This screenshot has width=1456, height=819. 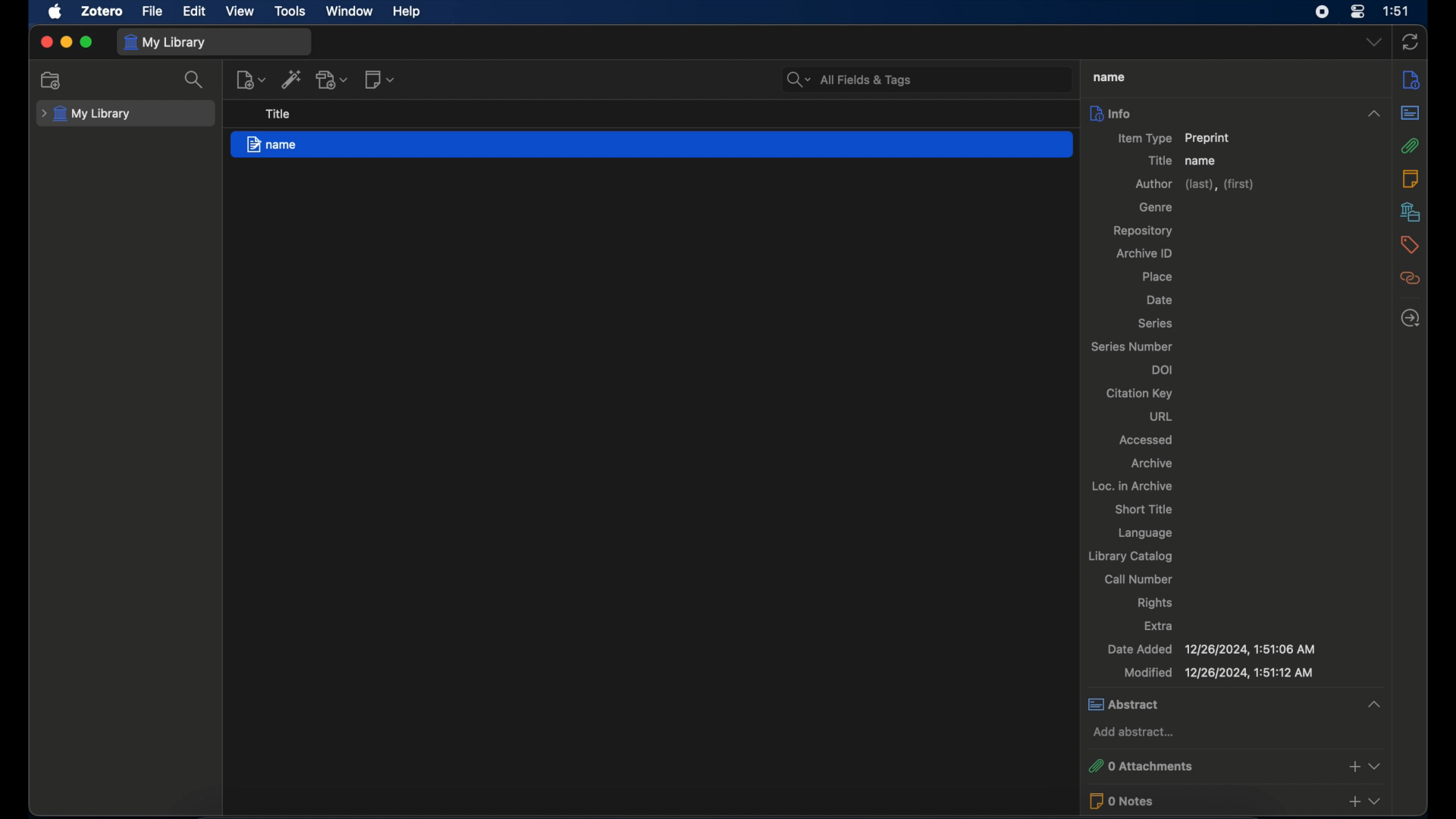 I want to click on name, so click(x=1109, y=78).